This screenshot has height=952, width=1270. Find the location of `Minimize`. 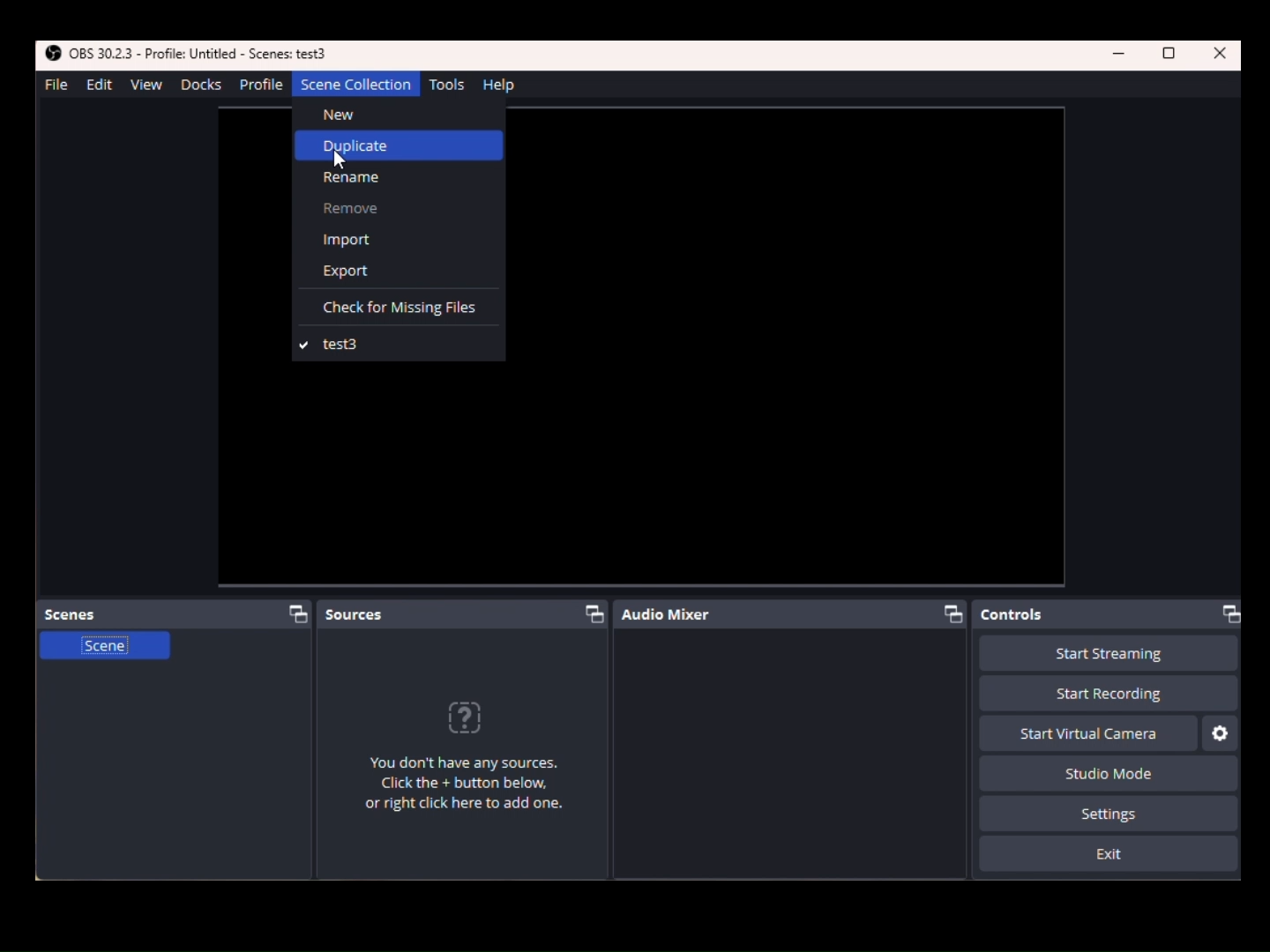

Minimize is located at coordinates (1122, 55).